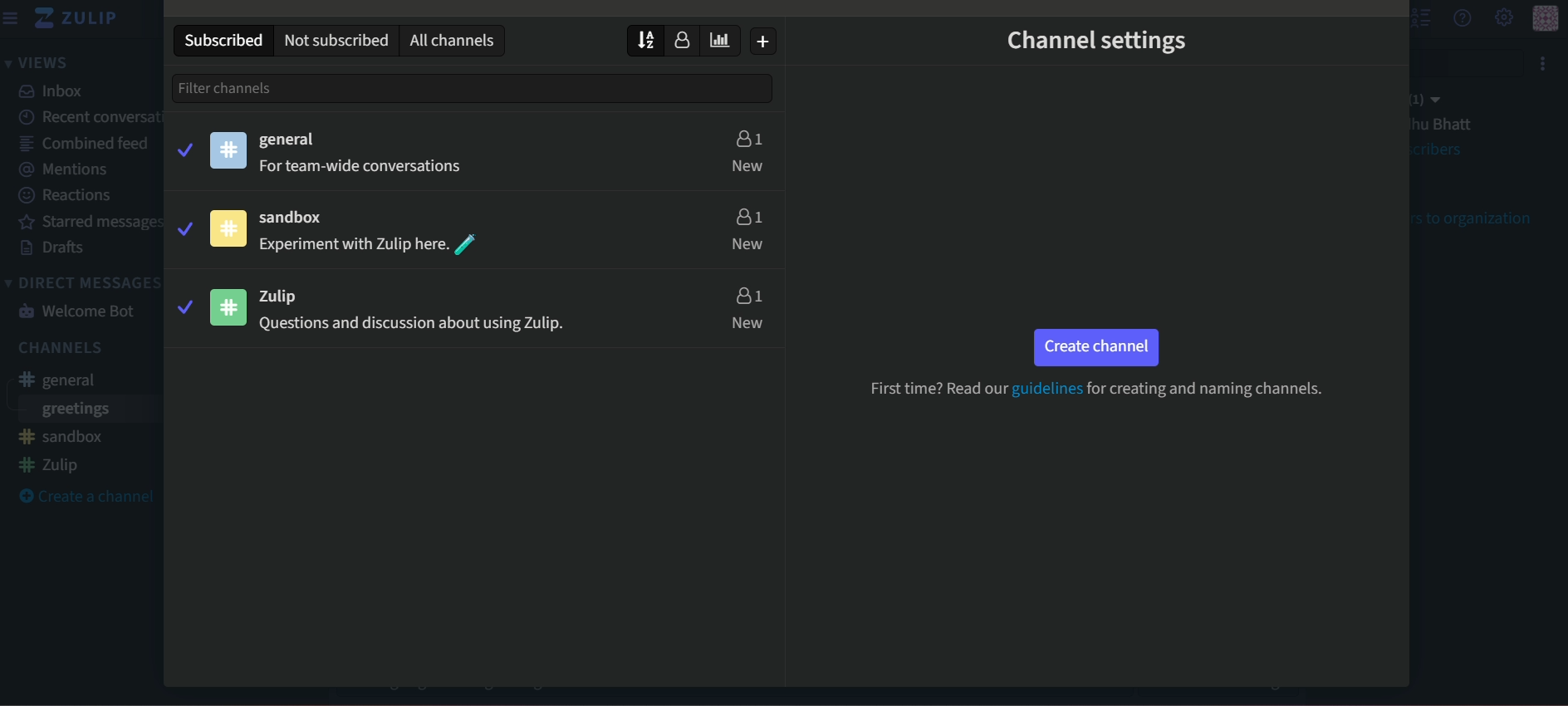 The width and height of the screenshot is (1568, 706). I want to click on users, so click(747, 310).